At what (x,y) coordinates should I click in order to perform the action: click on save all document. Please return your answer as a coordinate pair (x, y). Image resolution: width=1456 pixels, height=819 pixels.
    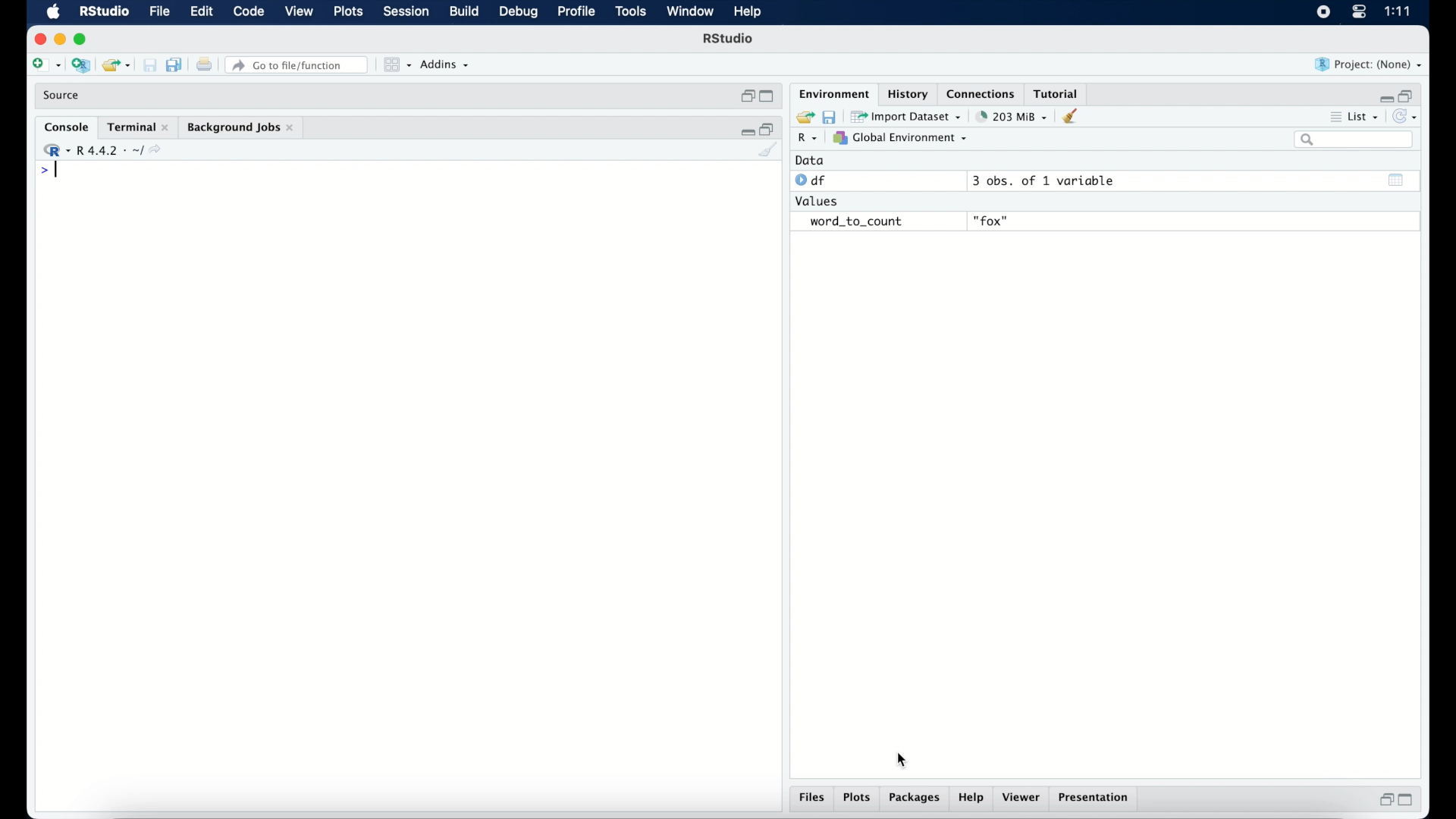
    Looking at the image, I should click on (177, 66).